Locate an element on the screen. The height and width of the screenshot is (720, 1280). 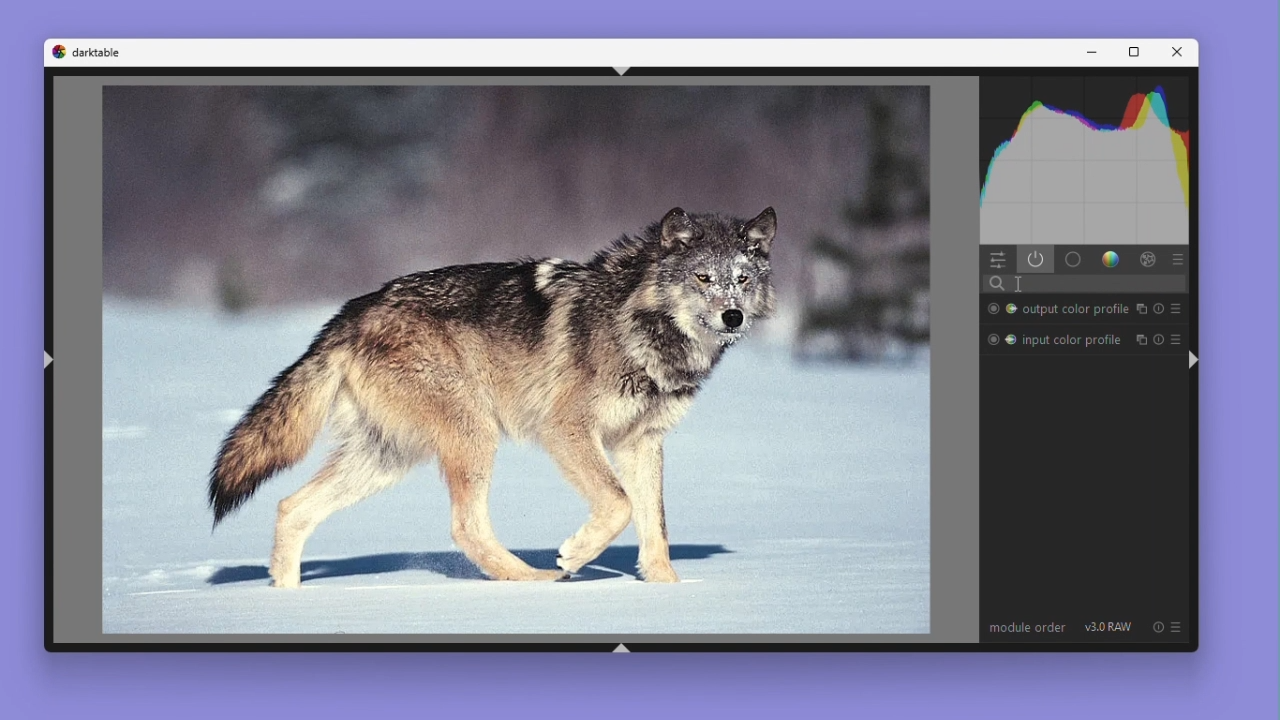
Reset parameters is located at coordinates (1158, 310).